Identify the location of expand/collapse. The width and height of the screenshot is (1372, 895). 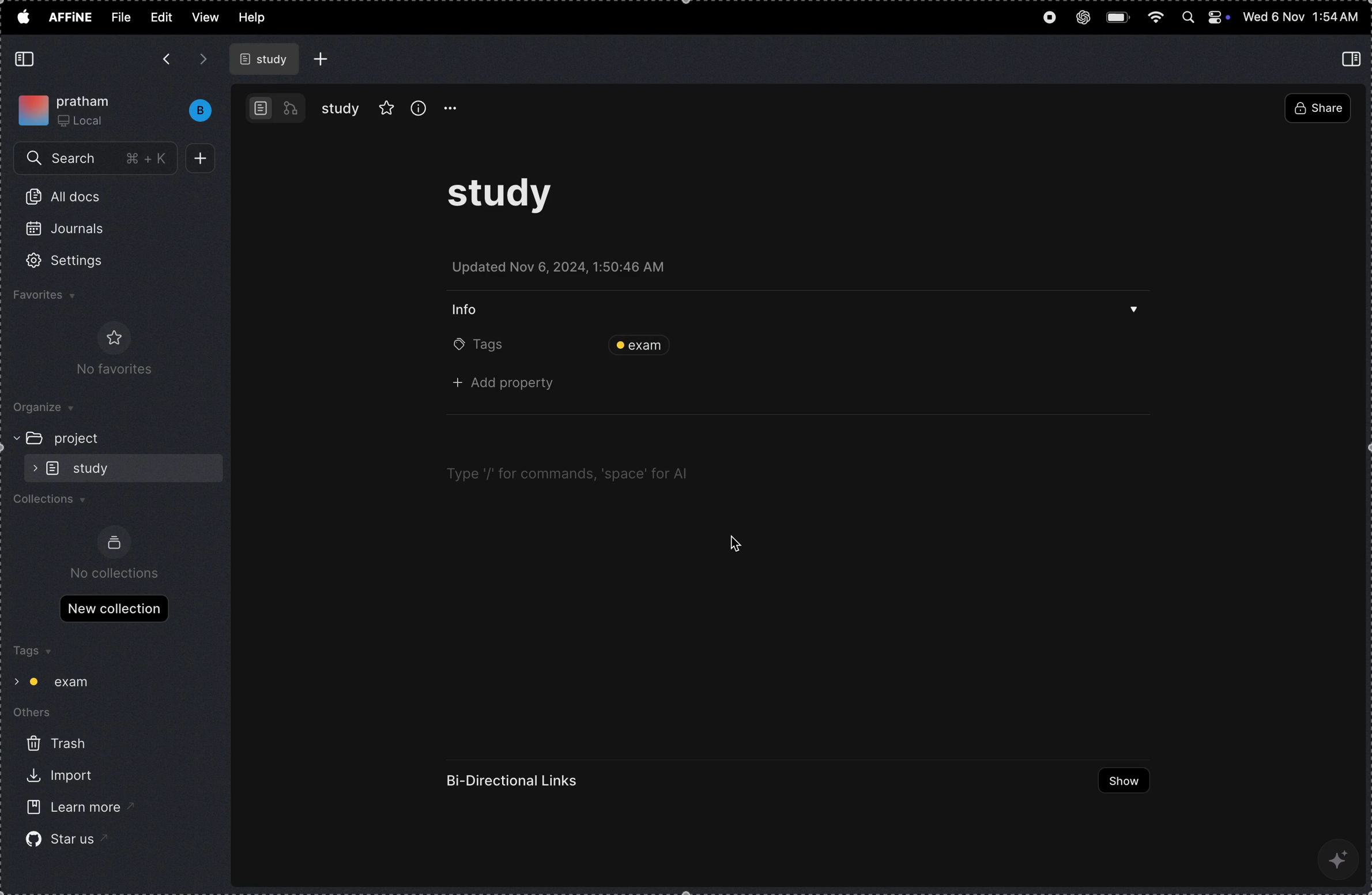
(12, 437).